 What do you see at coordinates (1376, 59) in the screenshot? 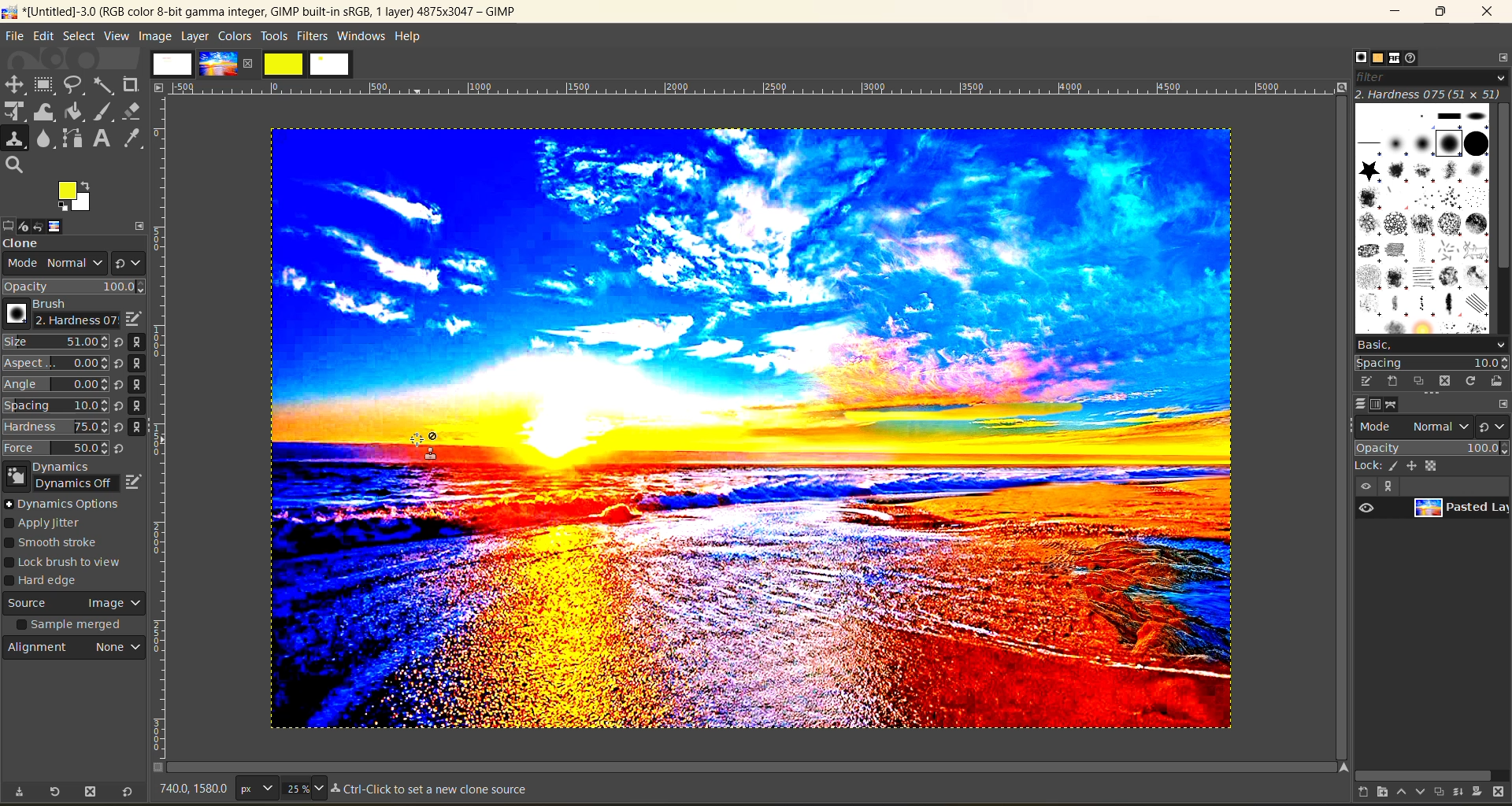
I see `patterns` at bounding box center [1376, 59].